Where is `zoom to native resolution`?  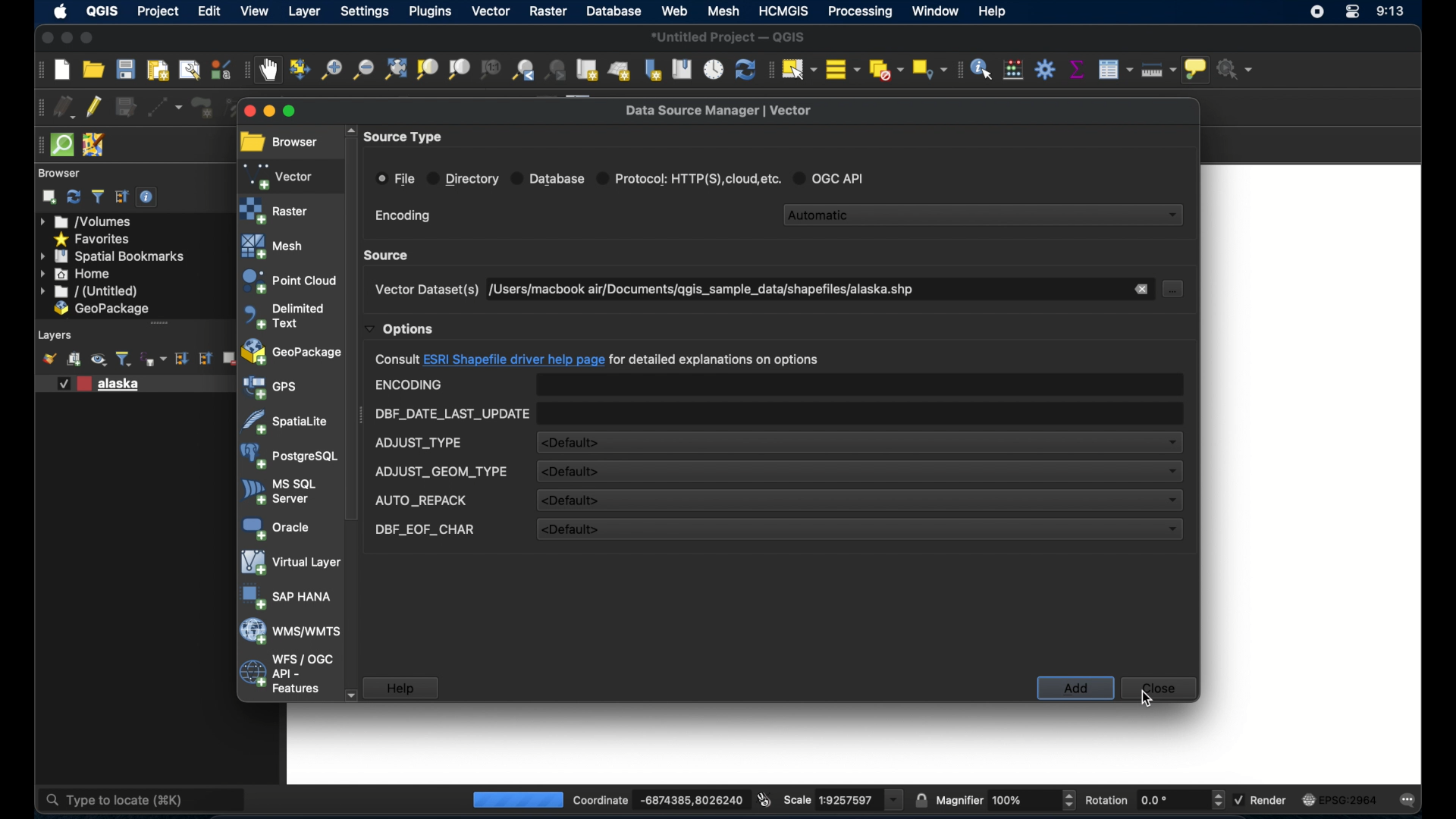 zoom to native resolution is located at coordinates (490, 69).